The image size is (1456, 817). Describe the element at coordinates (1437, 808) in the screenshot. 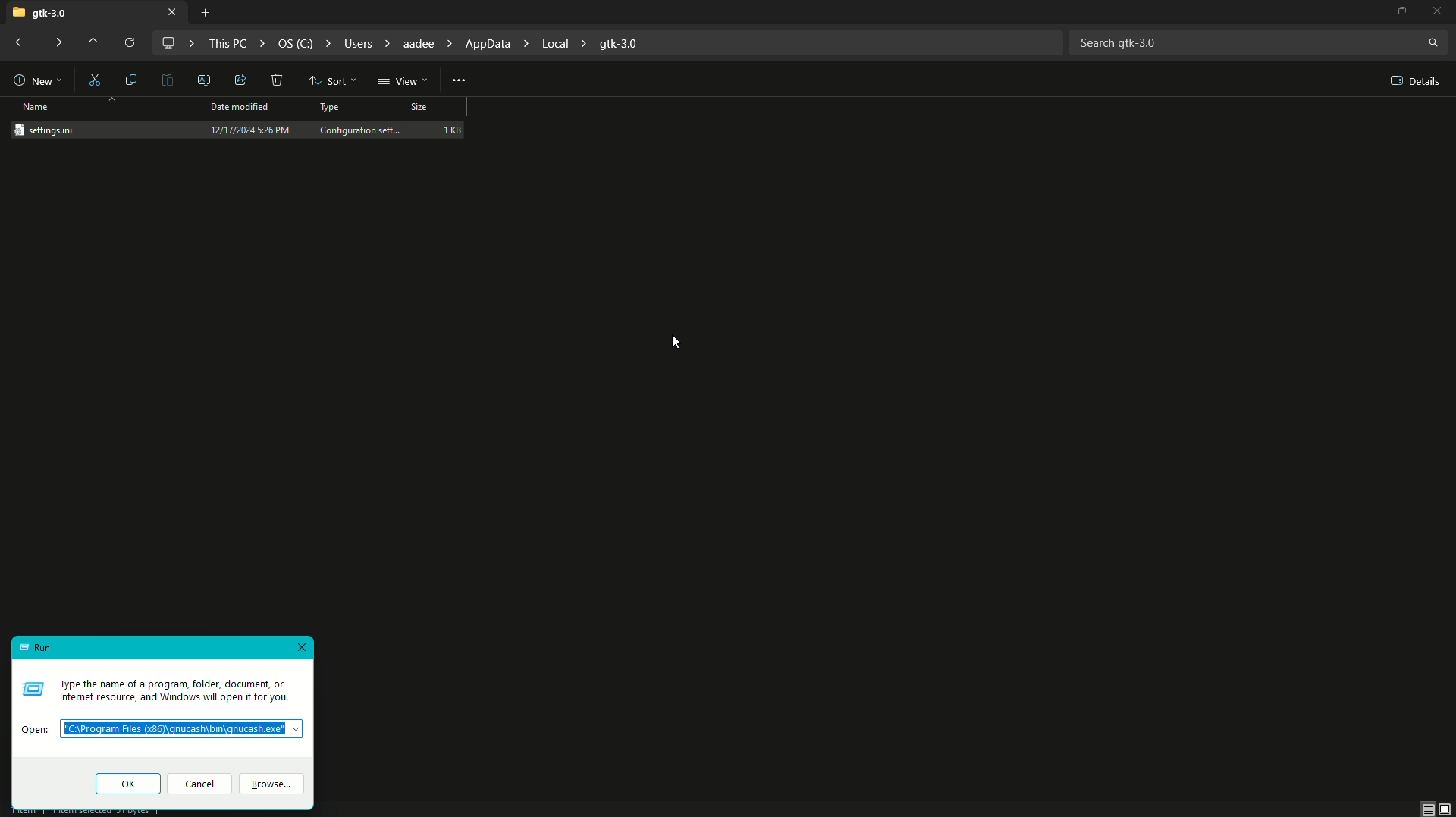

I see `Thumbnail view` at that location.